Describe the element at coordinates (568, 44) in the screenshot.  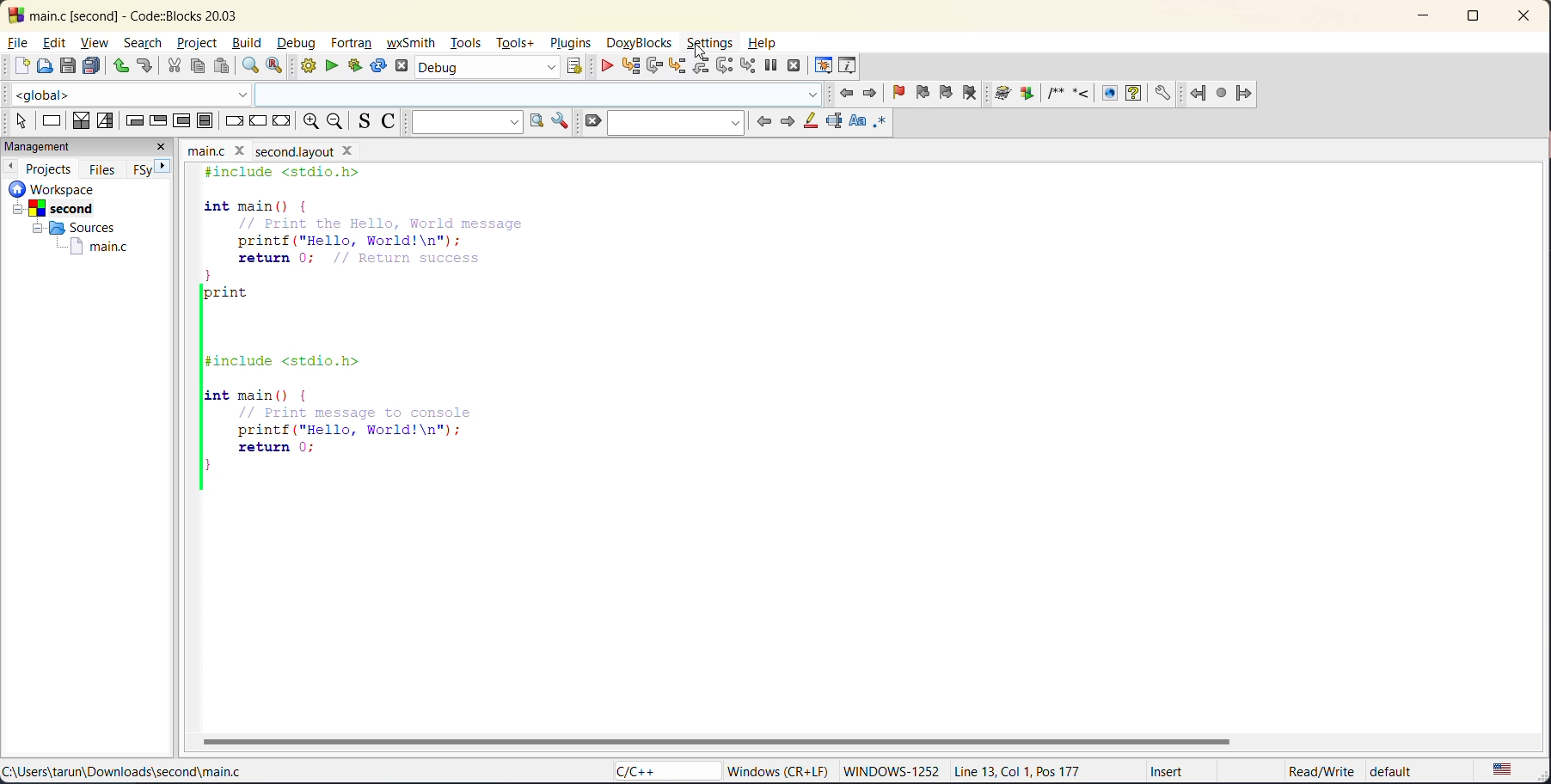
I see `plugins` at that location.